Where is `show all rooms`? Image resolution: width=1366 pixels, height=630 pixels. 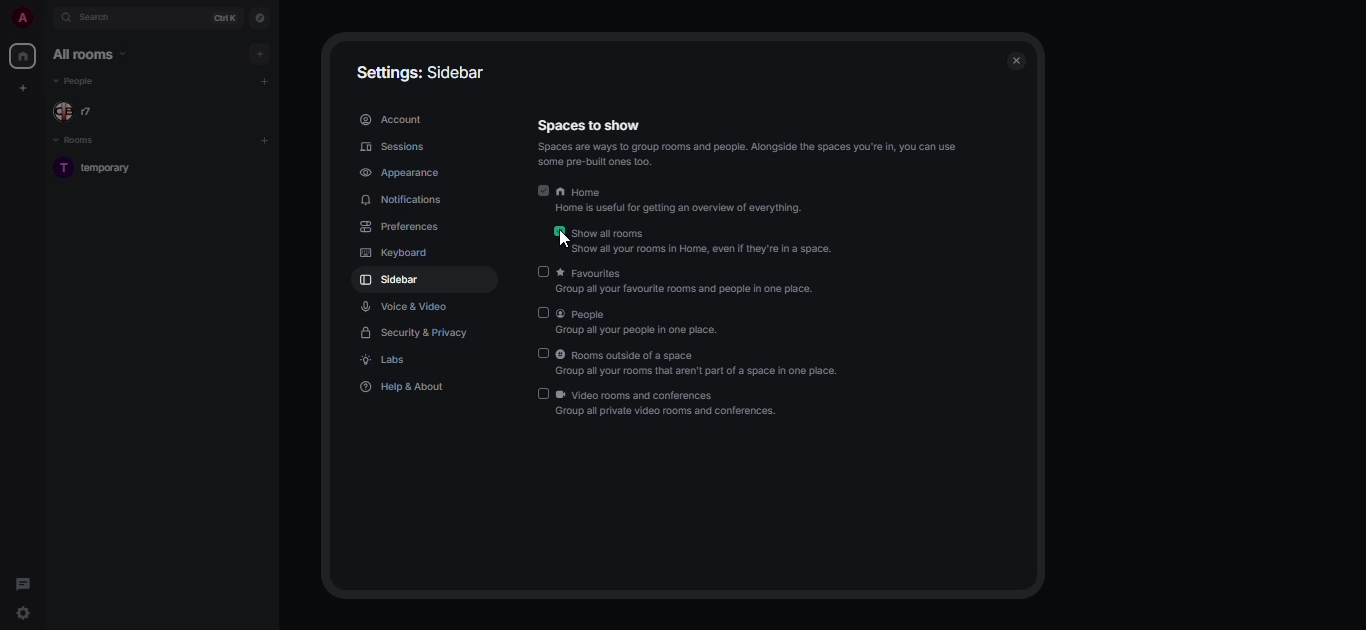
show all rooms is located at coordinates (704, 242).